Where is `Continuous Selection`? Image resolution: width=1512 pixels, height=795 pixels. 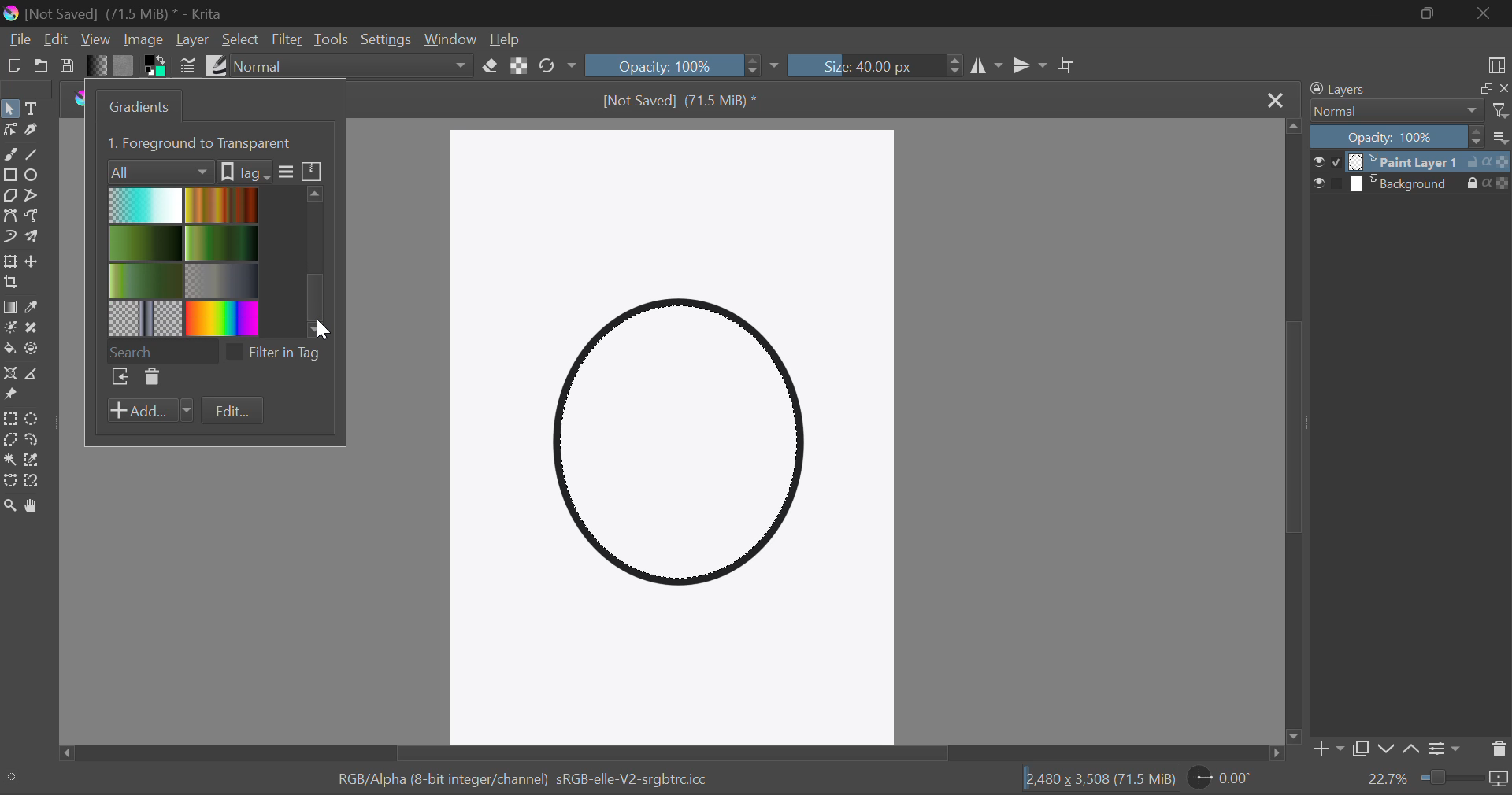 Continuous Selection is located at coordinates (11, 459).